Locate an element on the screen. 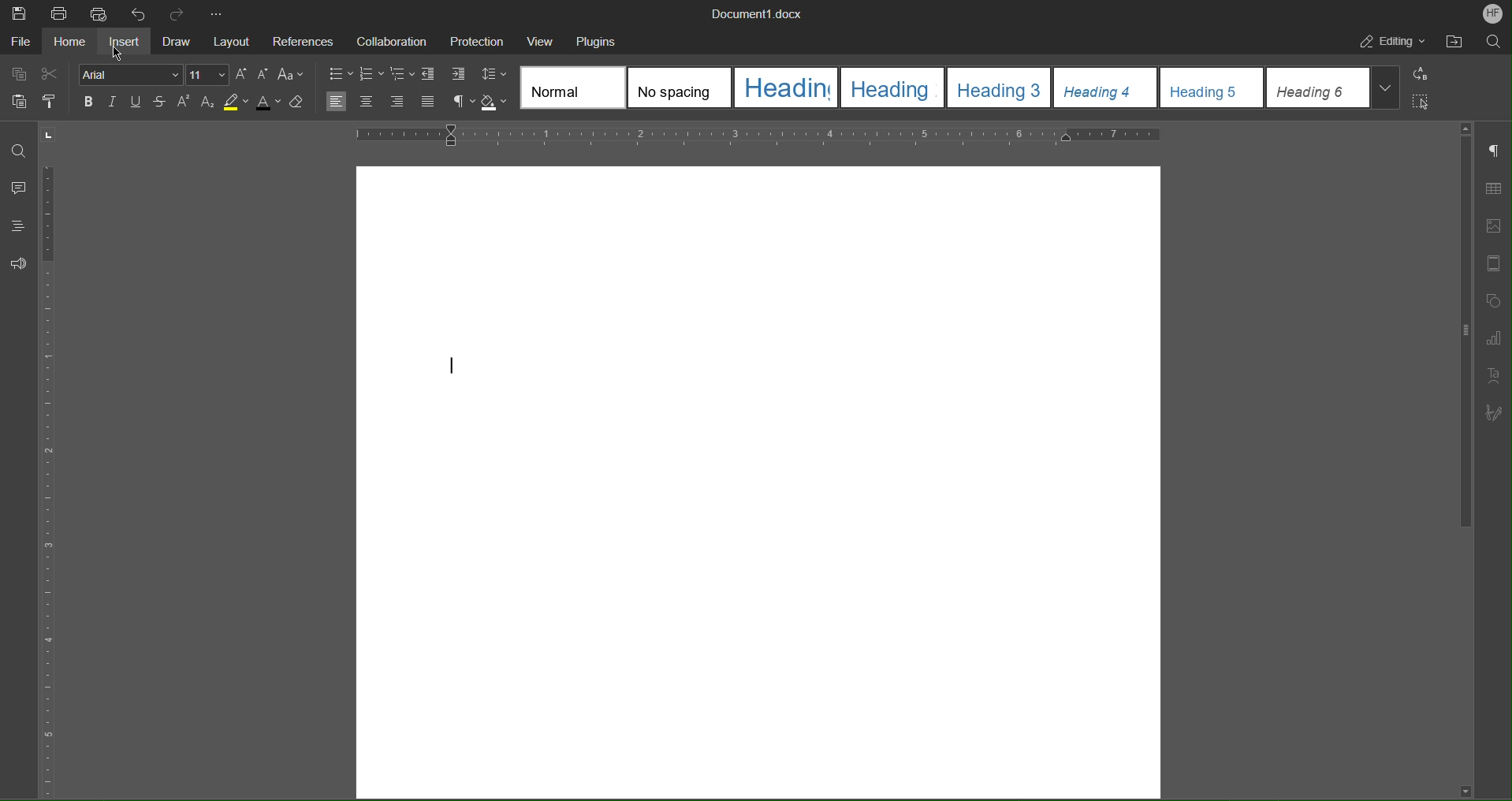  View is located at coordinates (539, 39).